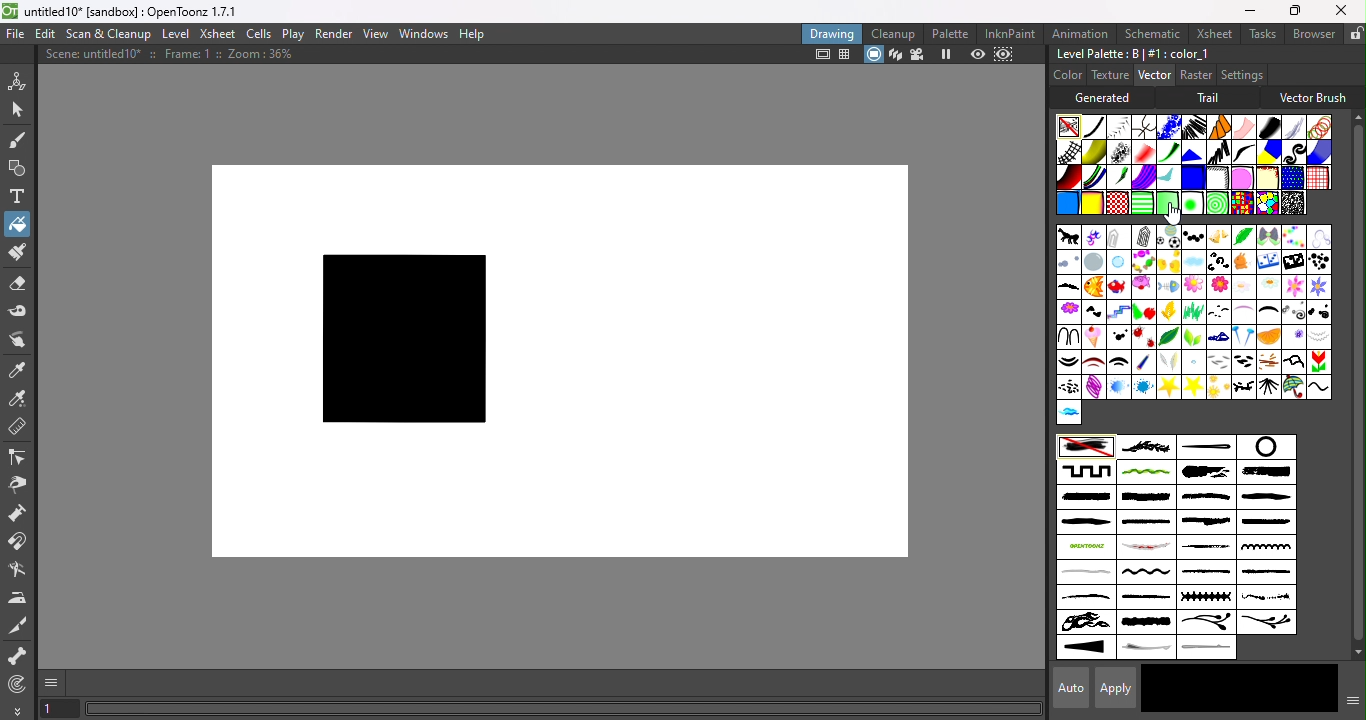 Image resolution: width=1366 pixels, height=720 pixels. I want to click on medium_brush3, so click(1084, 523).